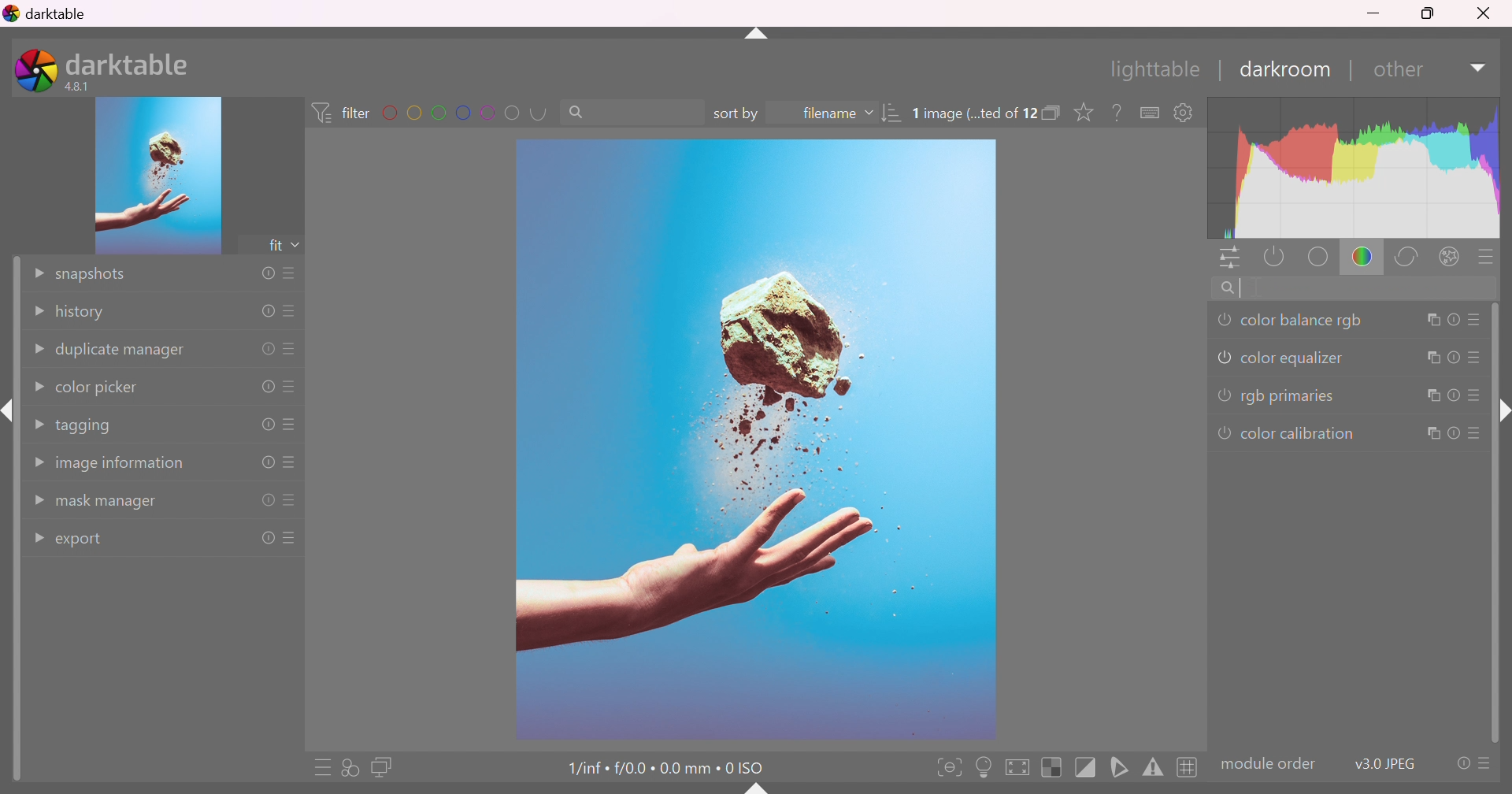 The height and width of the screenshot is (794, 1512). Describe the element at coordinates (268, 387) in the screenshot. I see `reset` at that location.